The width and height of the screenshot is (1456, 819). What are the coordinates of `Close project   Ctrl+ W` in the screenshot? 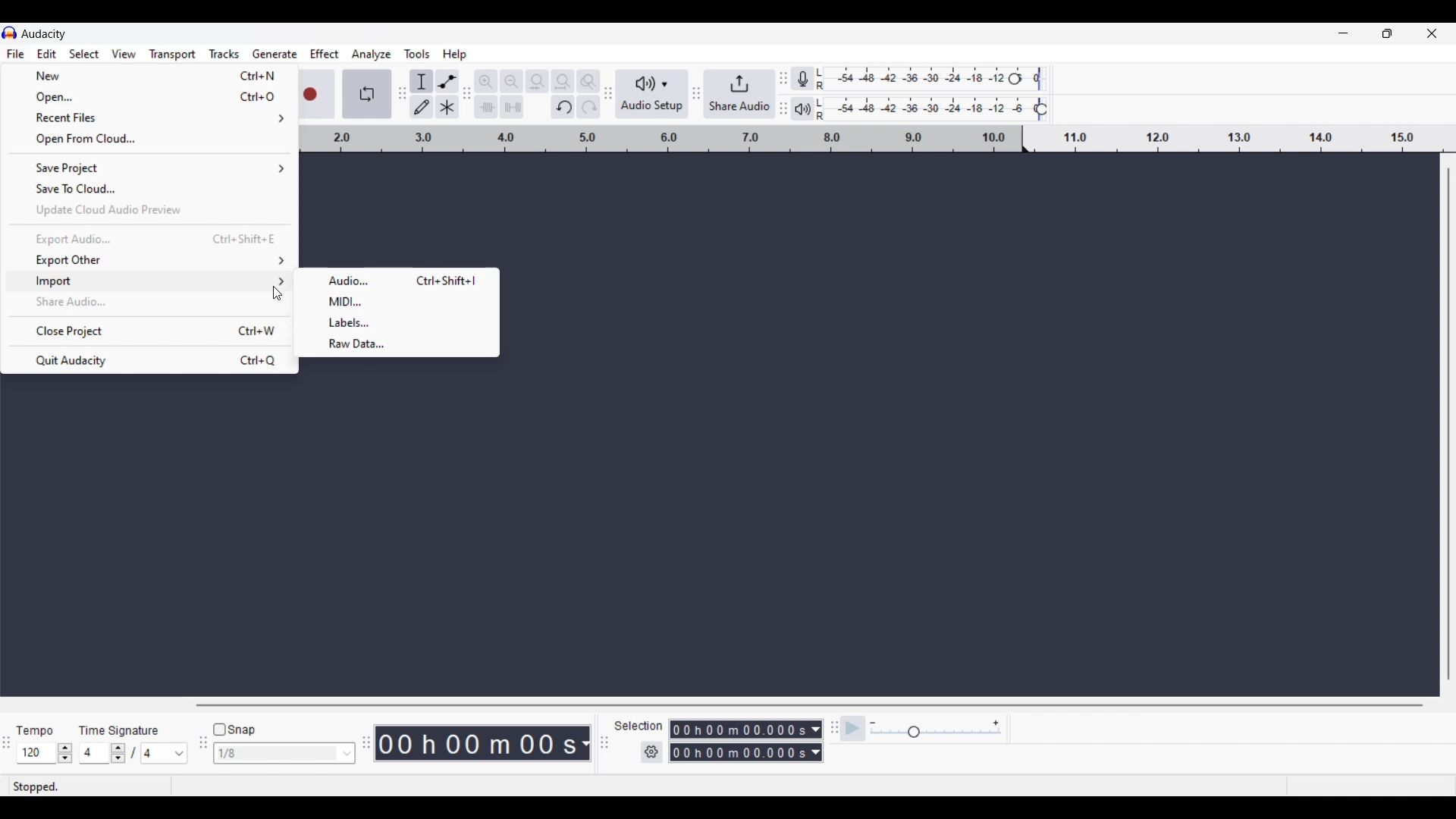 It's located at (148, 331).